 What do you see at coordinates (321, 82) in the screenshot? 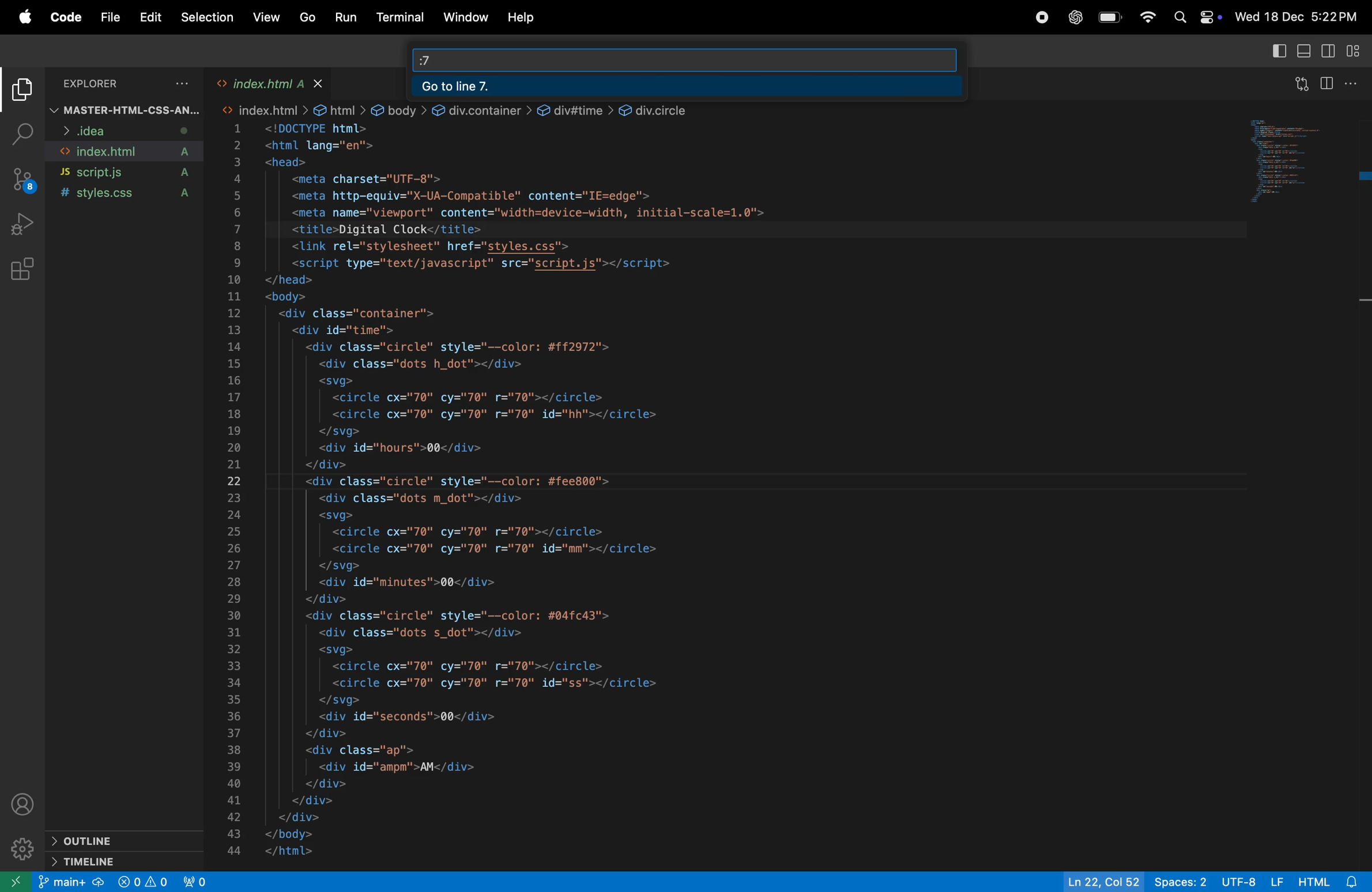
I see `close` at bounding box center [321, 82].